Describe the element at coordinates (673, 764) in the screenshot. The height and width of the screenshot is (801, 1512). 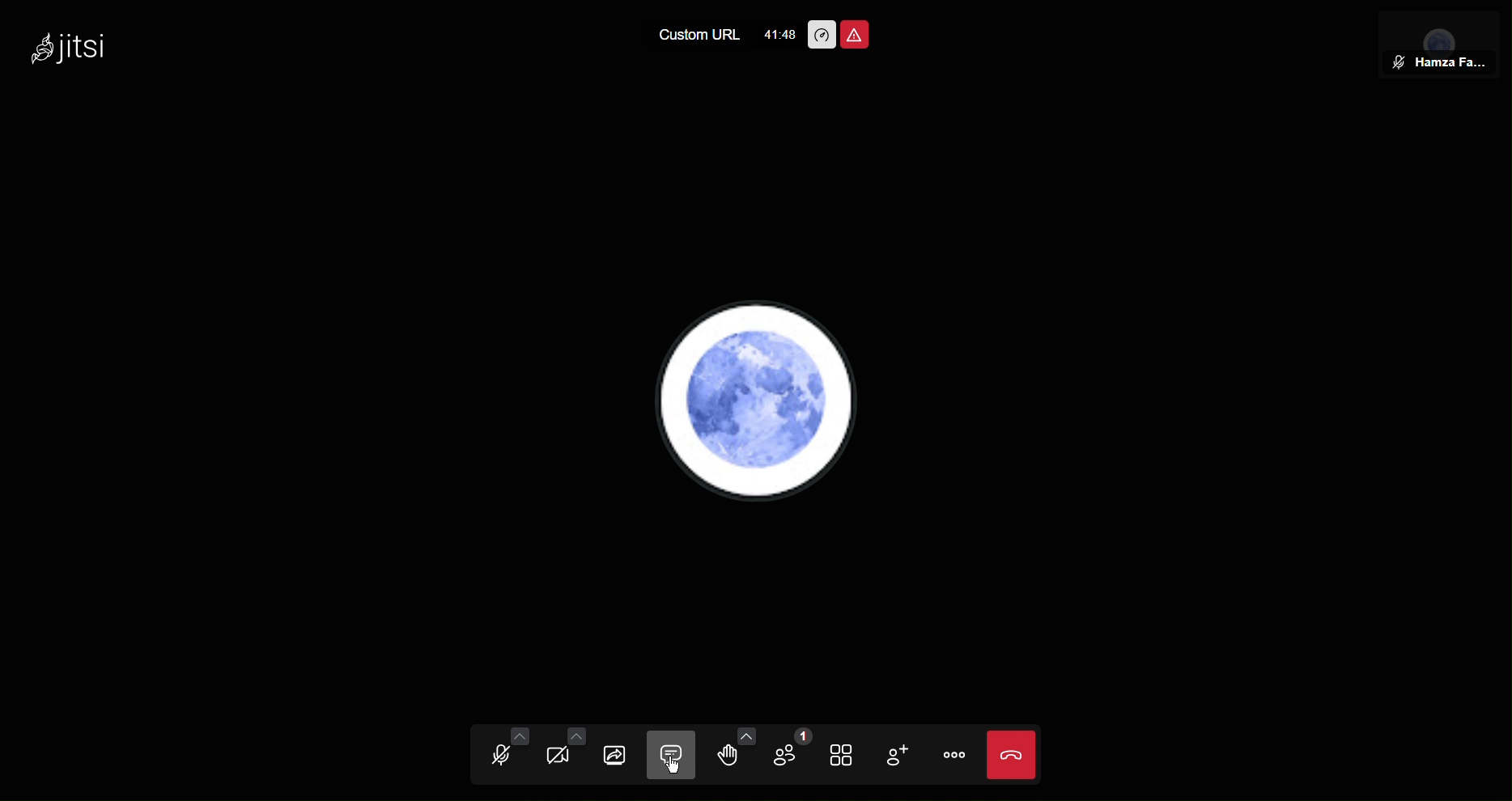
I see `Cursor` at that location.